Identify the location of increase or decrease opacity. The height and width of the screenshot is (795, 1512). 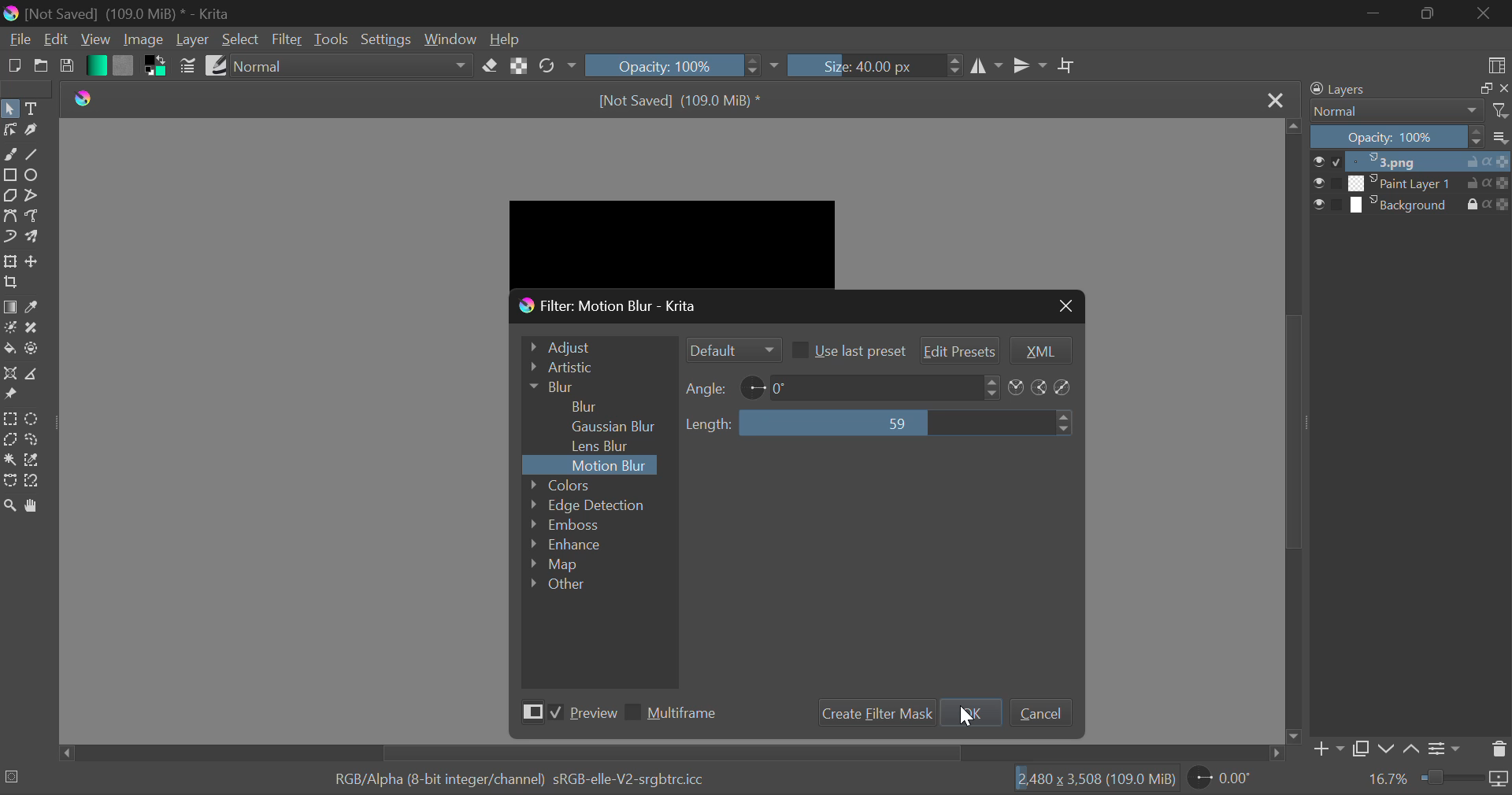
(754, 66).